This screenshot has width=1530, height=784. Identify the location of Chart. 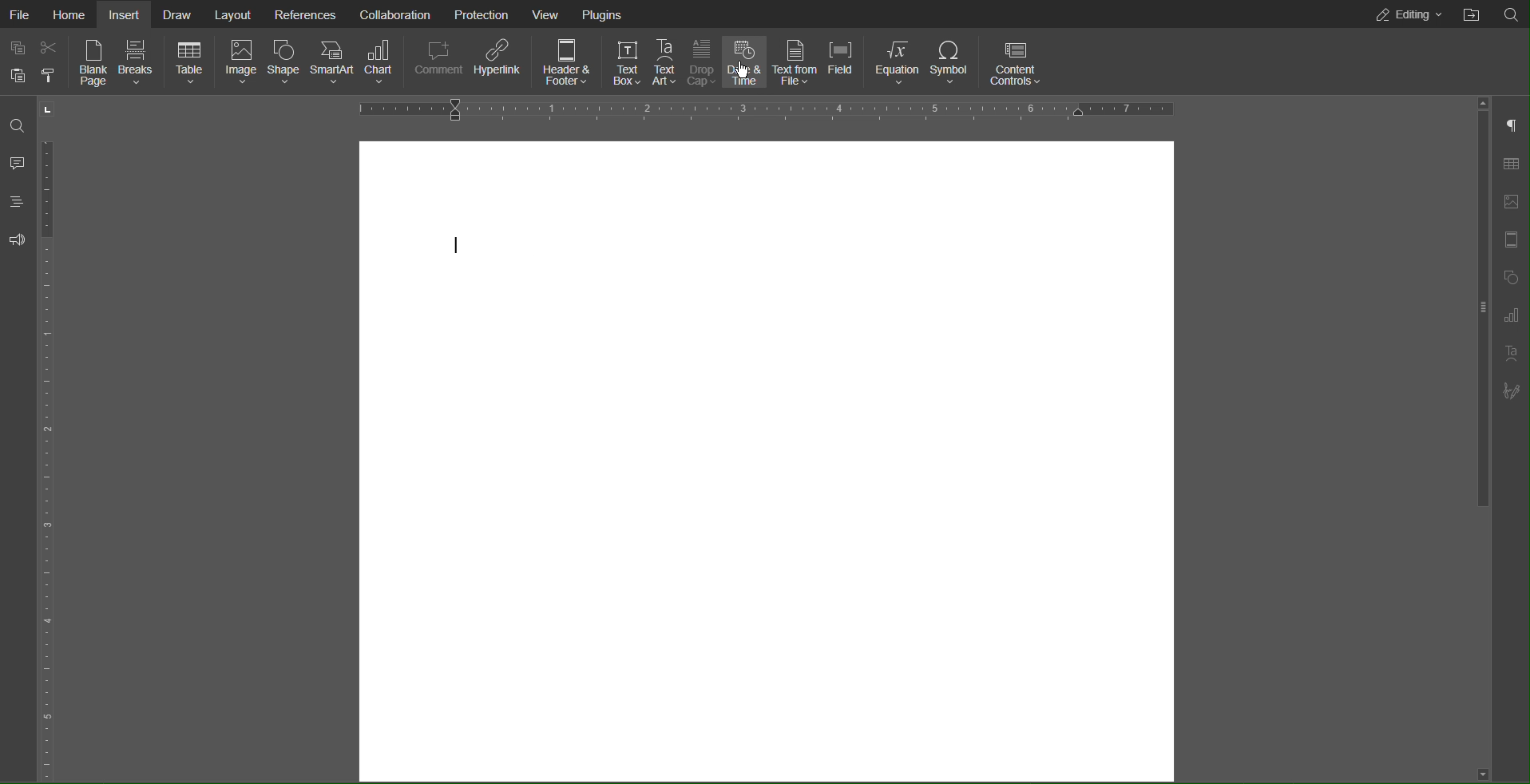
(383, 62).